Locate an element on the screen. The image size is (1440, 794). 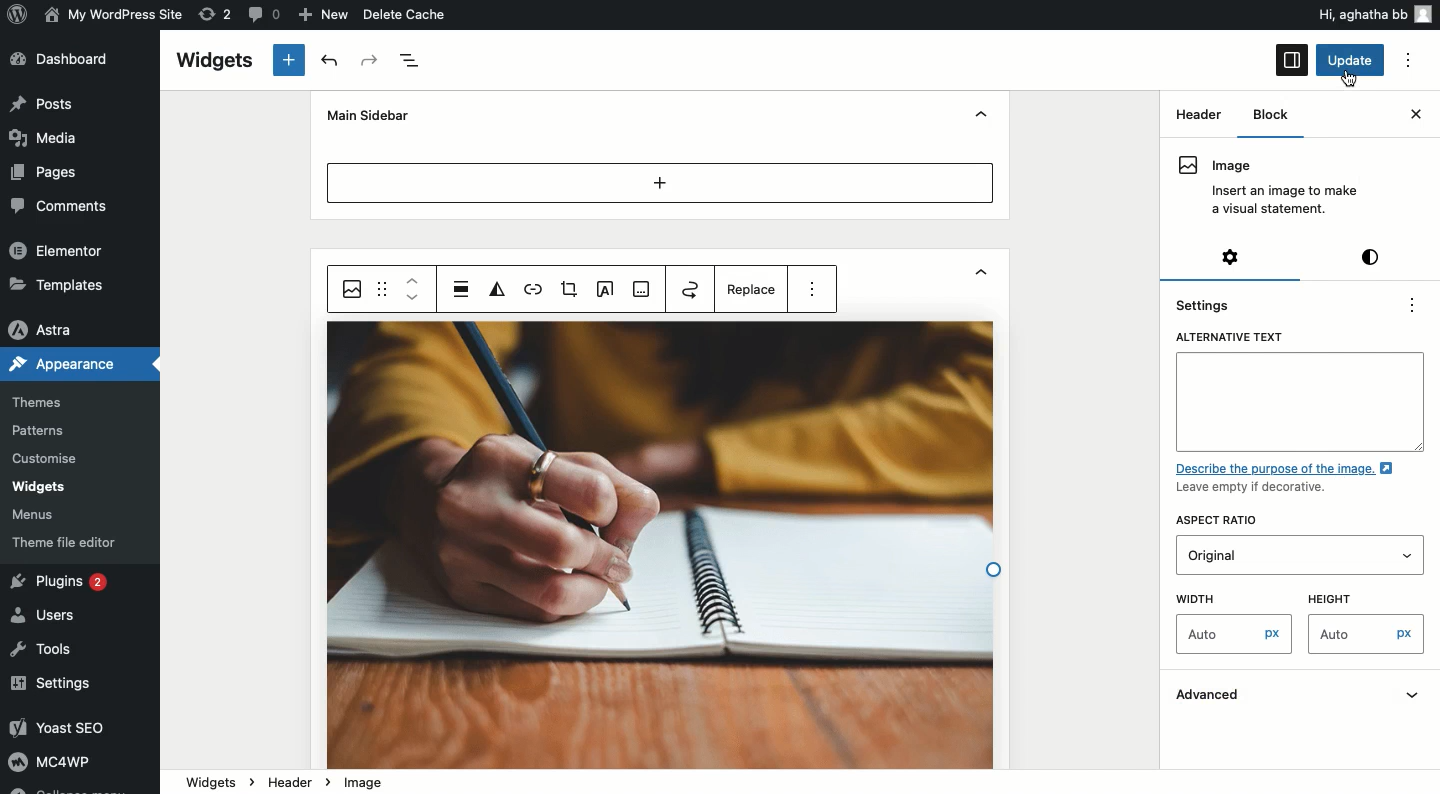
Image purpose is located at coordinates (1291, 479).